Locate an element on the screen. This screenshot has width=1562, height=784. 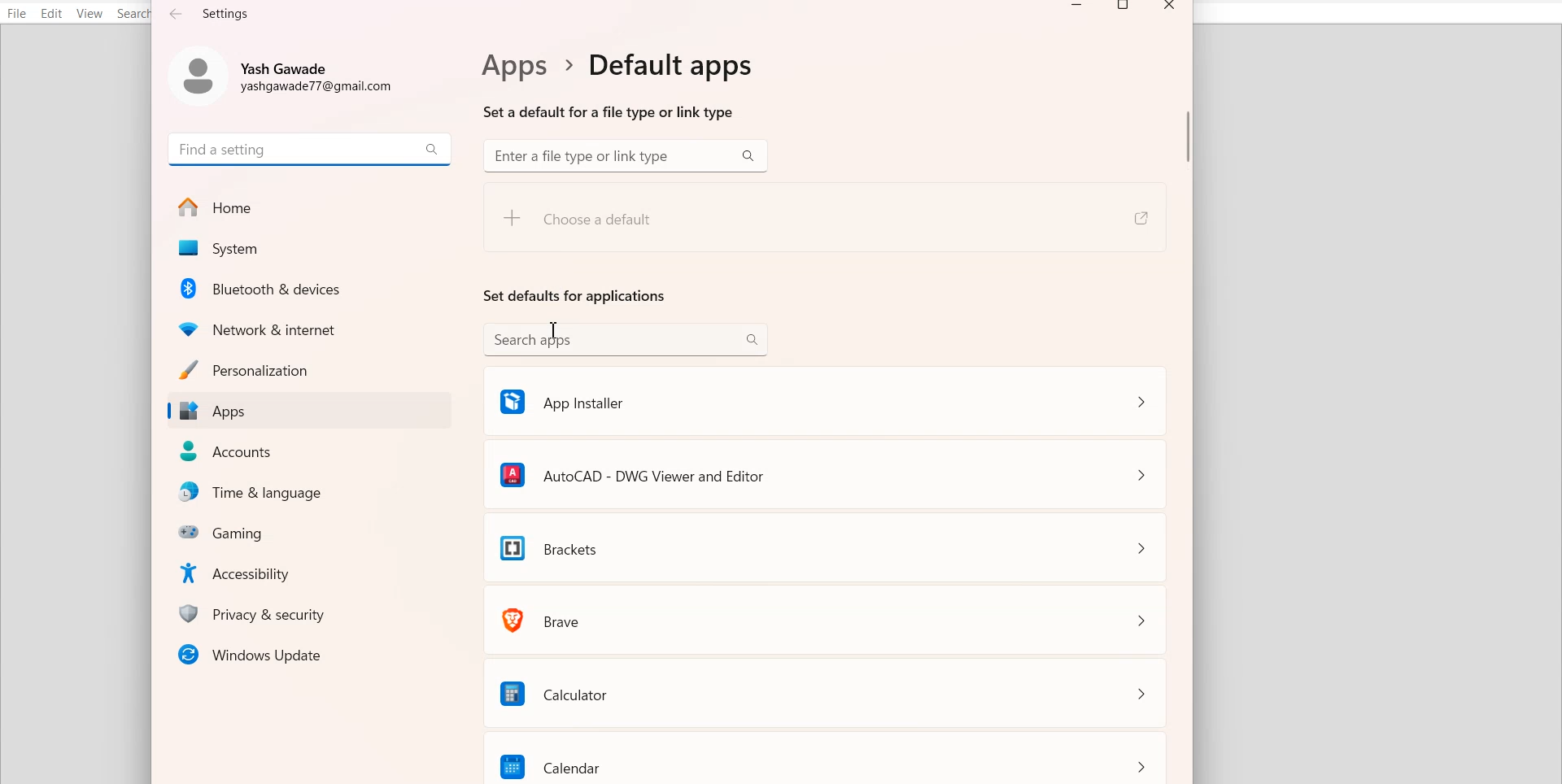
Text is located at coordinates (613, 85).